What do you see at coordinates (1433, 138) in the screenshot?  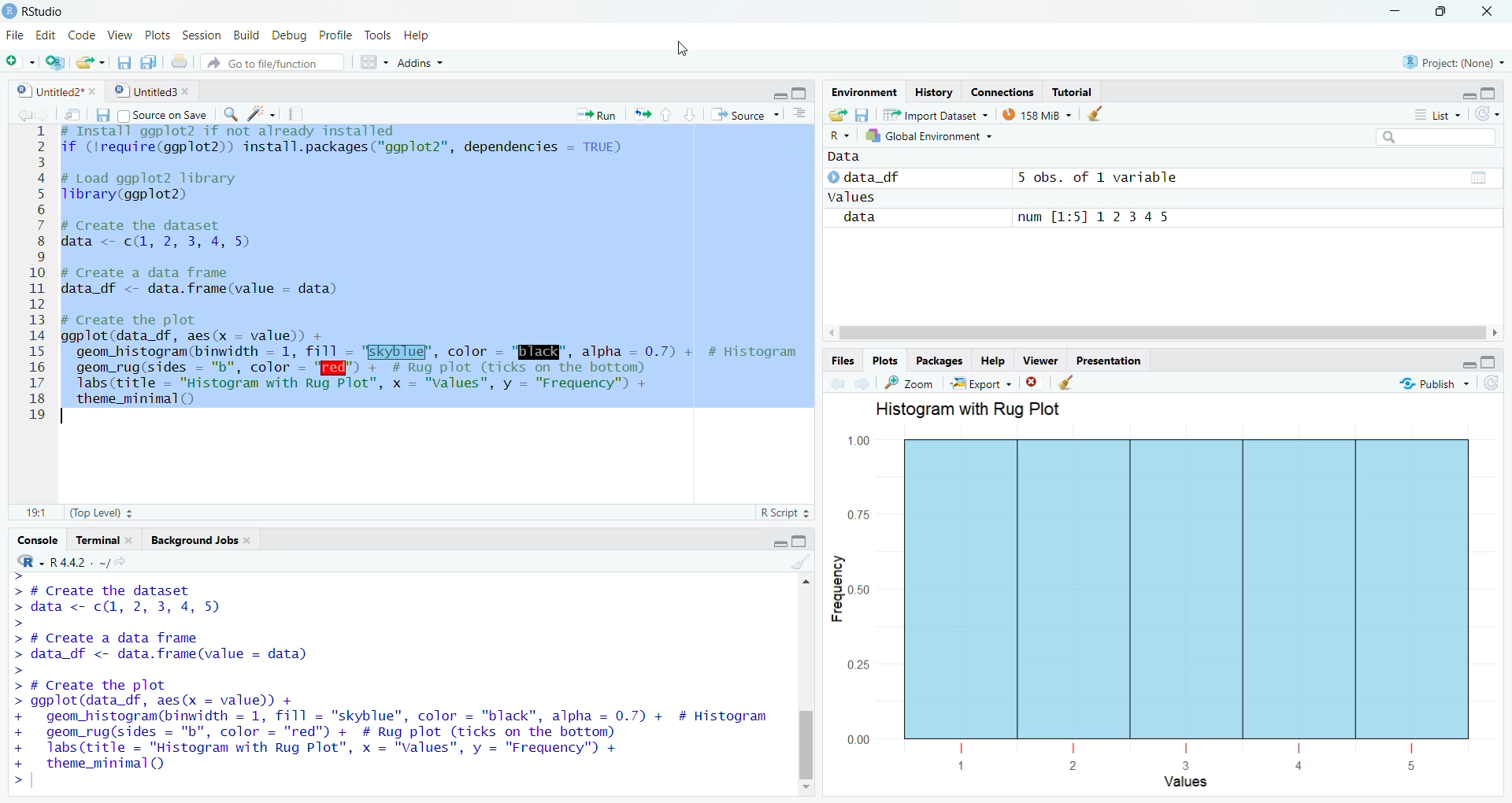 I see `search` at bounding box center [1433, 138].